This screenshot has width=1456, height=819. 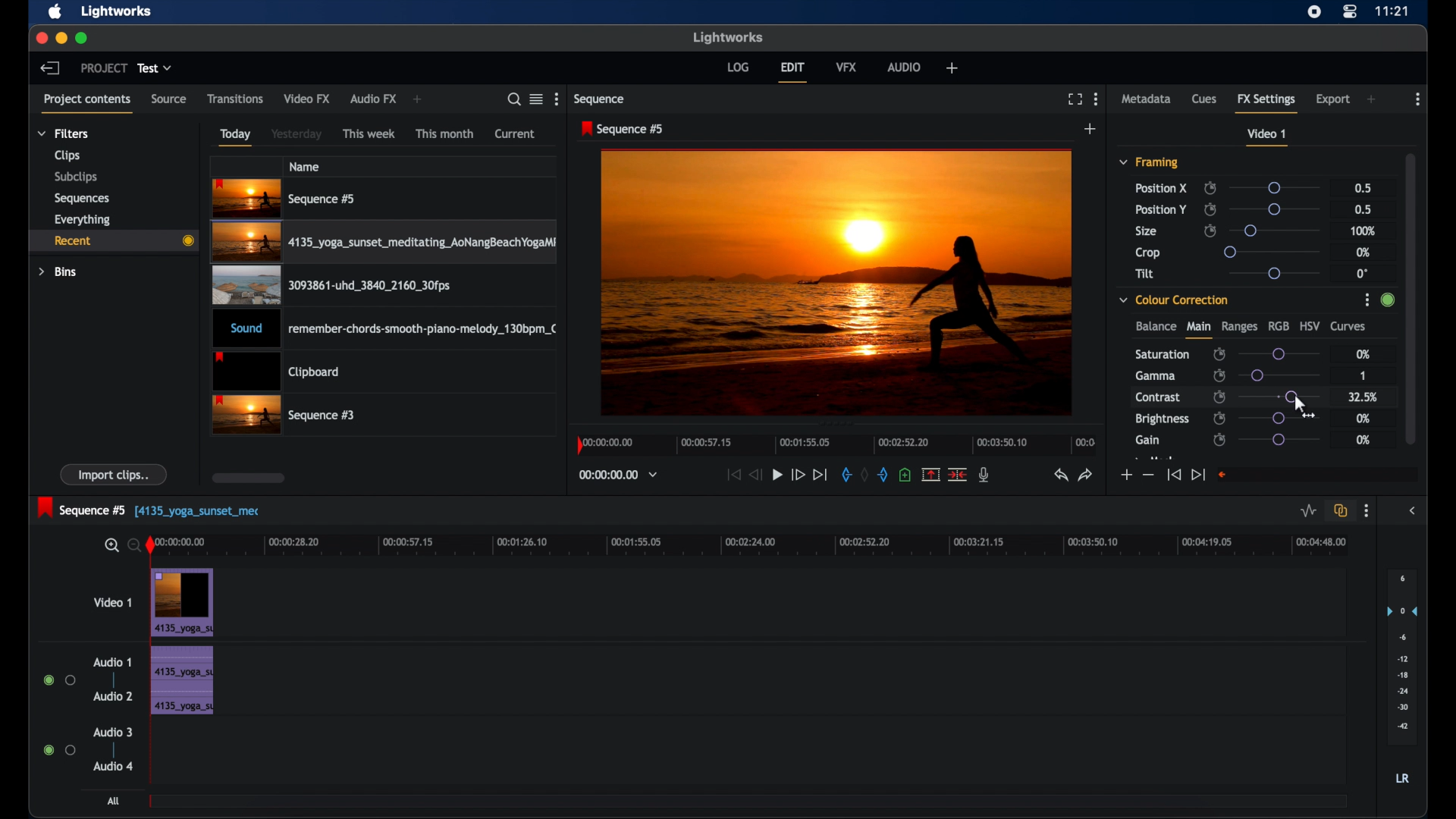 What do you see at coordinates (1334, 99) in the screenshot?
I see `export` at bounding box center [1334, 99].